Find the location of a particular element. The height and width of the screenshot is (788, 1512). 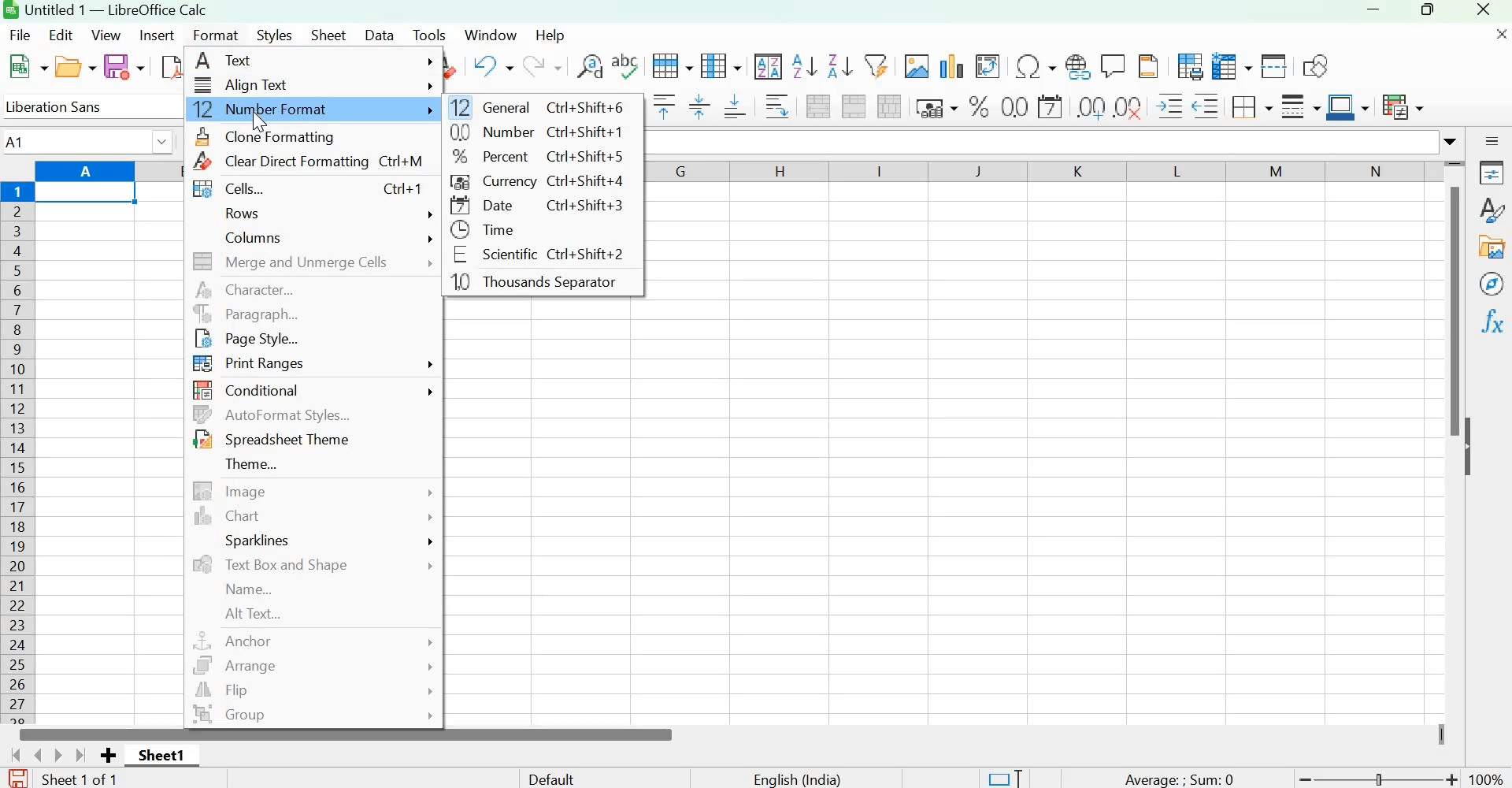

Border color is located at coordinates (1347, 107).